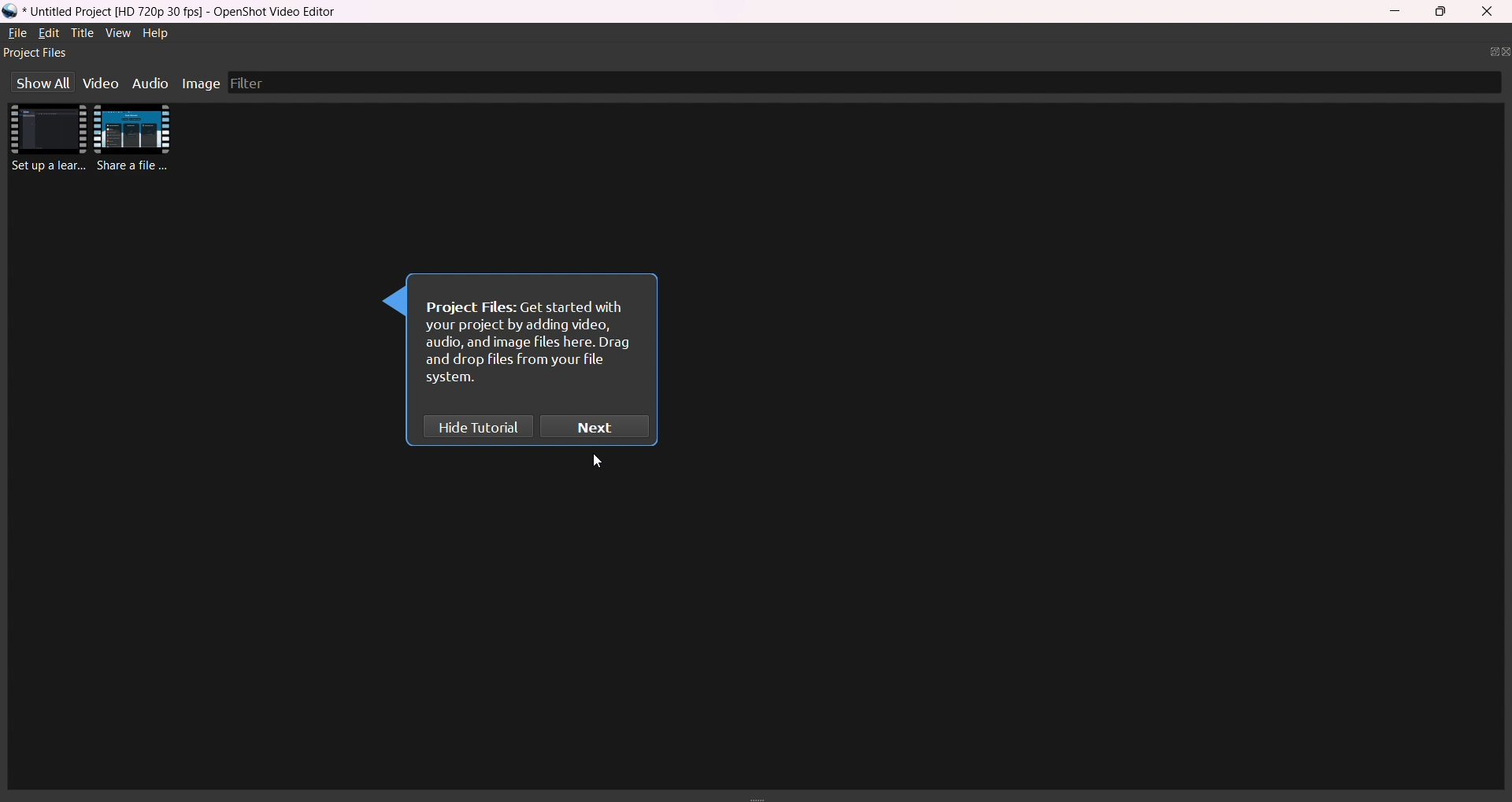  Describe the element at coordinates (102, 81) in the screenshot. I see `video` at that location.